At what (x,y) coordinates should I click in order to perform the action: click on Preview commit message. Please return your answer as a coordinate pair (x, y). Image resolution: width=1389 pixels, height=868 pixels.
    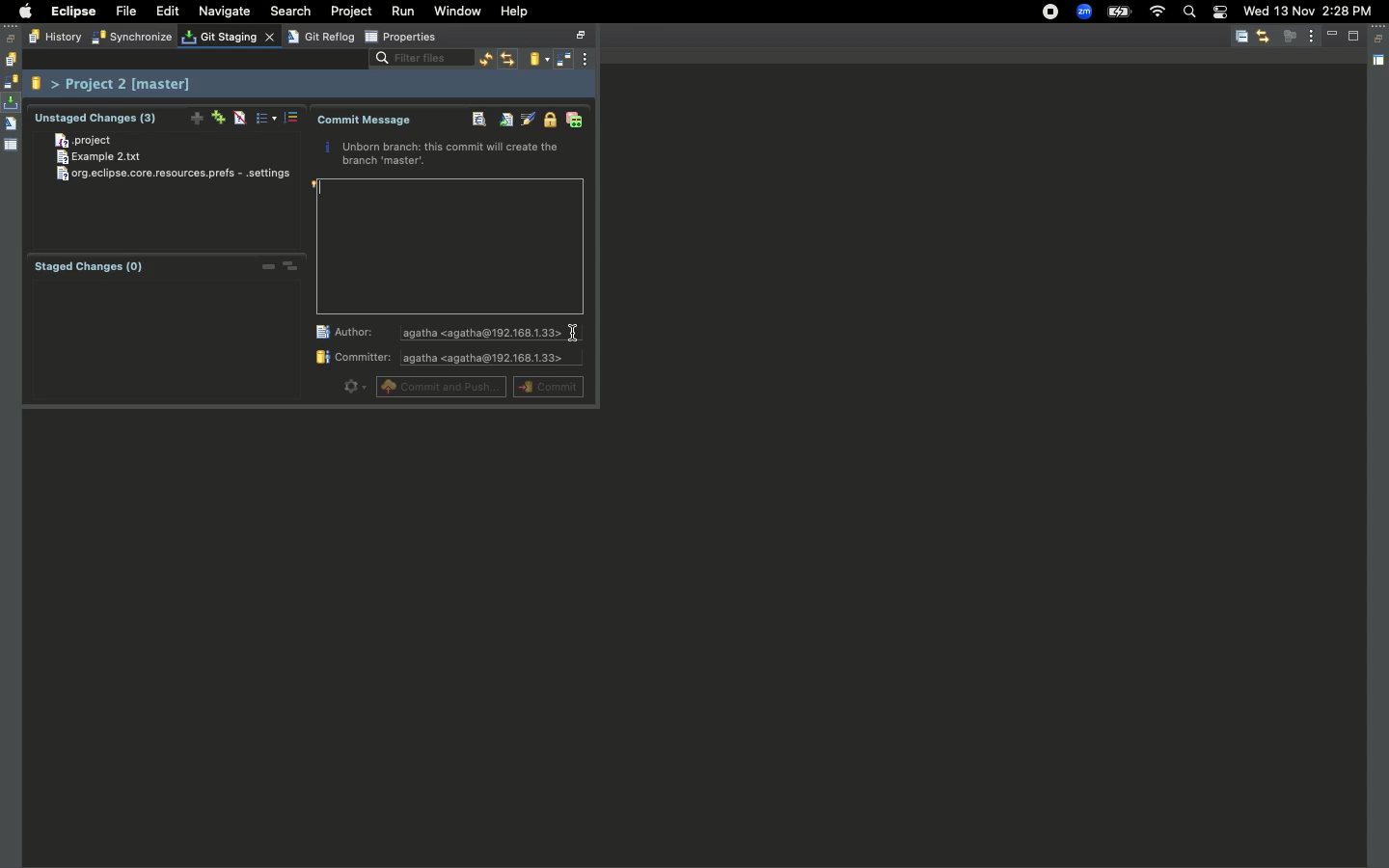
    Looking at the image, I should click on (474, 121).